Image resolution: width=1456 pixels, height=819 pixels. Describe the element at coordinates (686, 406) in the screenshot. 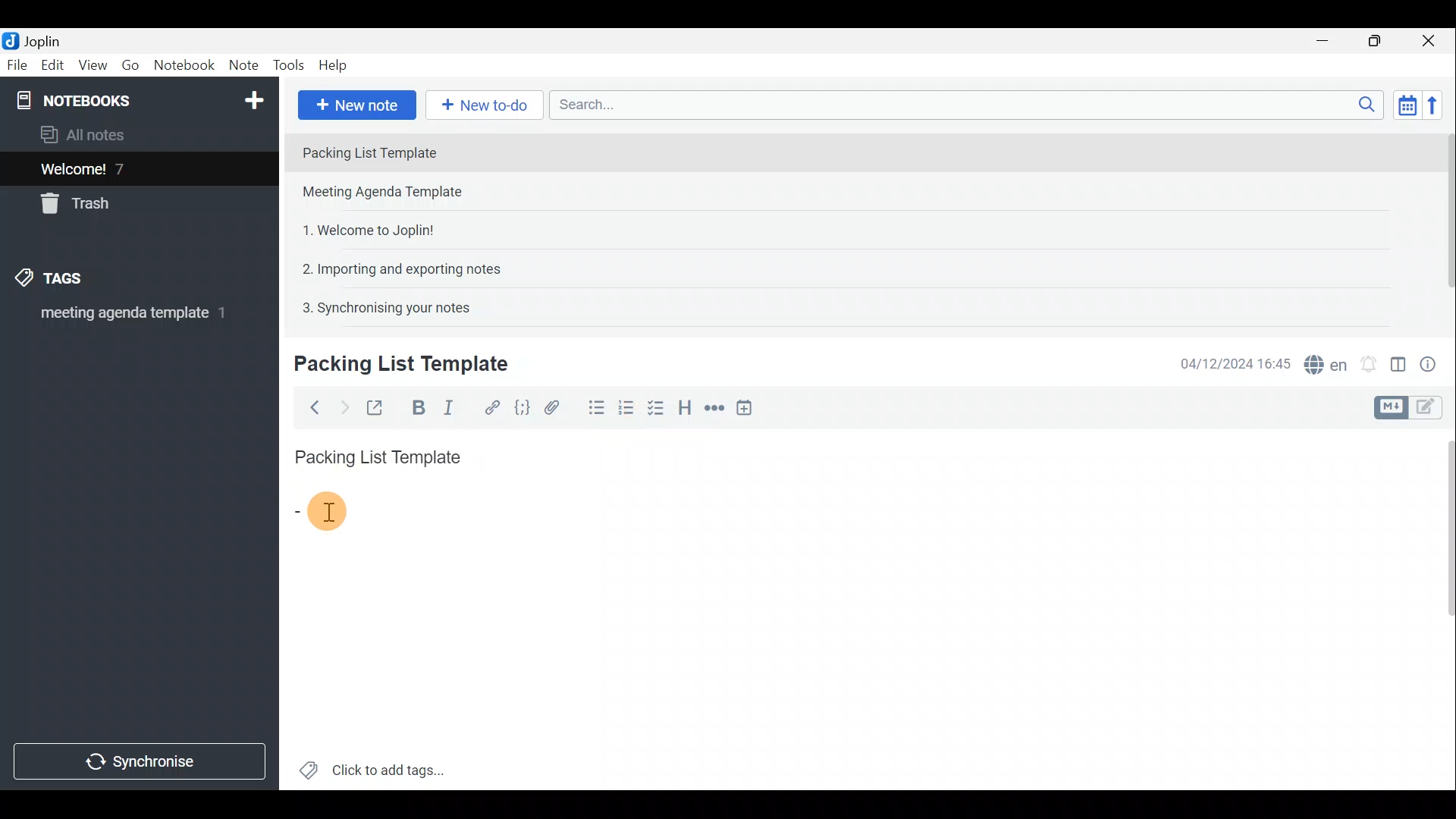

I see `Heading` at that location.